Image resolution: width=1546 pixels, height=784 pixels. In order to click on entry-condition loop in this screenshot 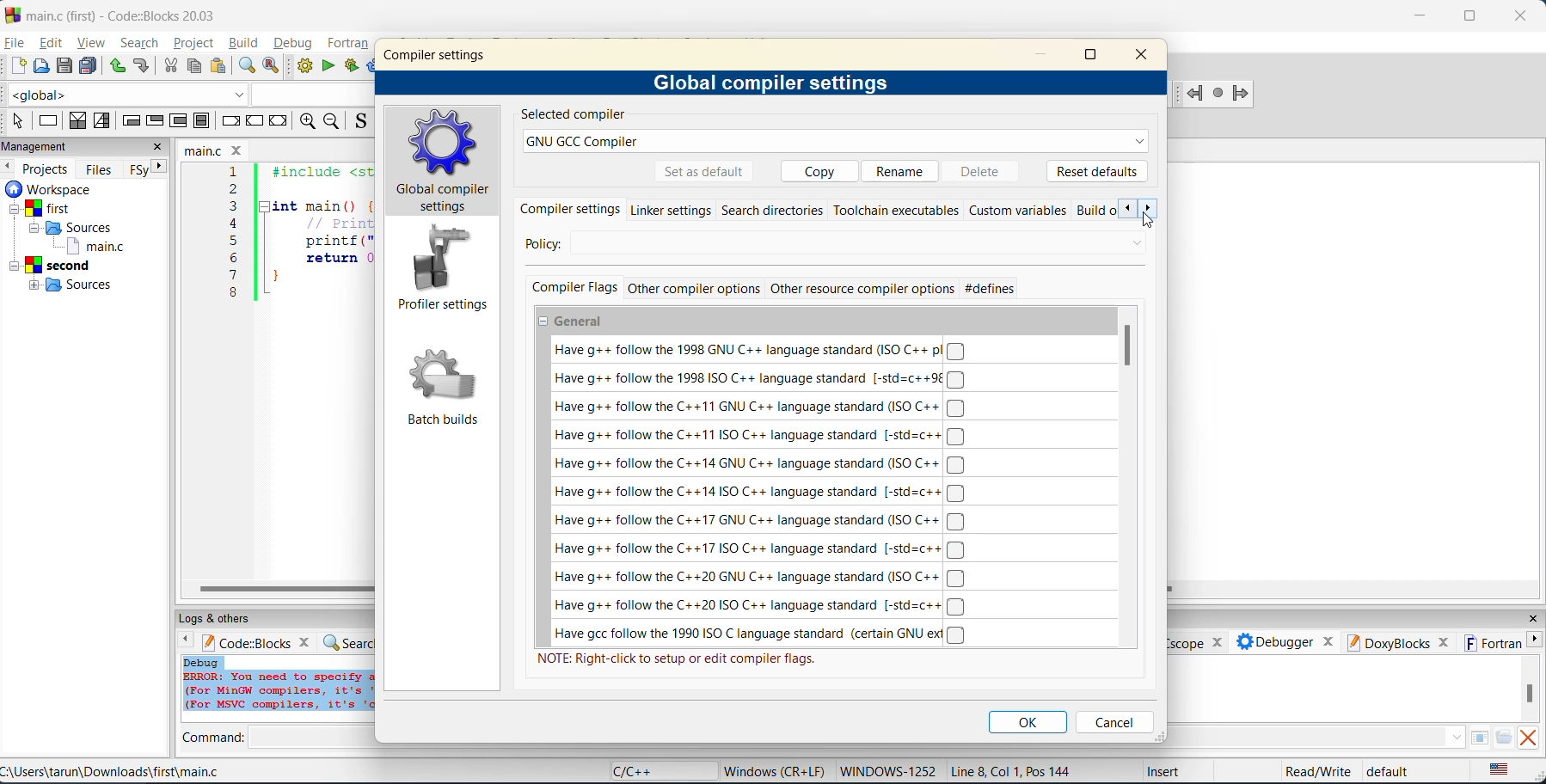, I will do `click(132, 123)`.